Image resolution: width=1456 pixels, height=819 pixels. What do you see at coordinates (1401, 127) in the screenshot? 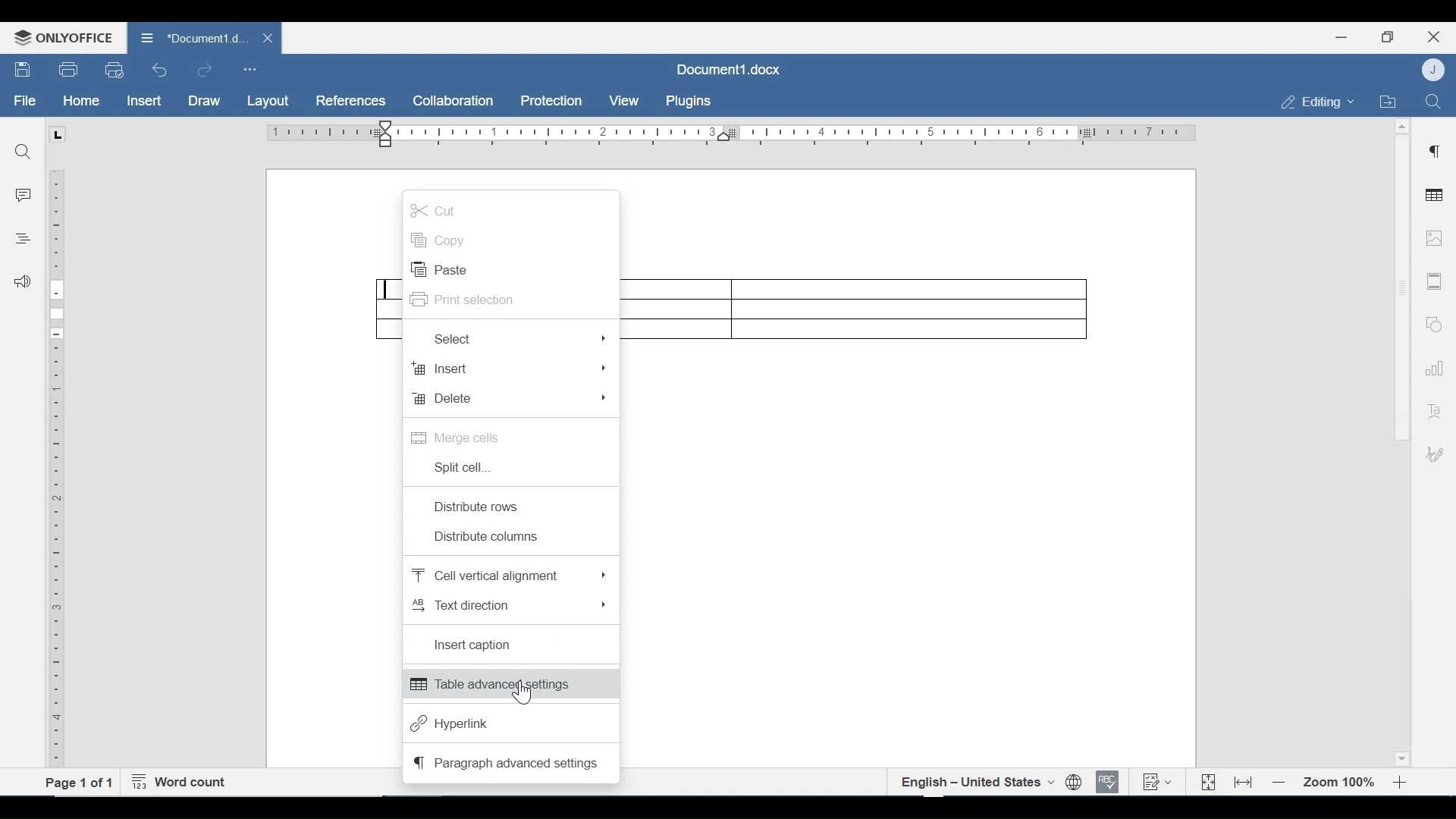
I see `Scroll up` at bounding box center [1401, 127].